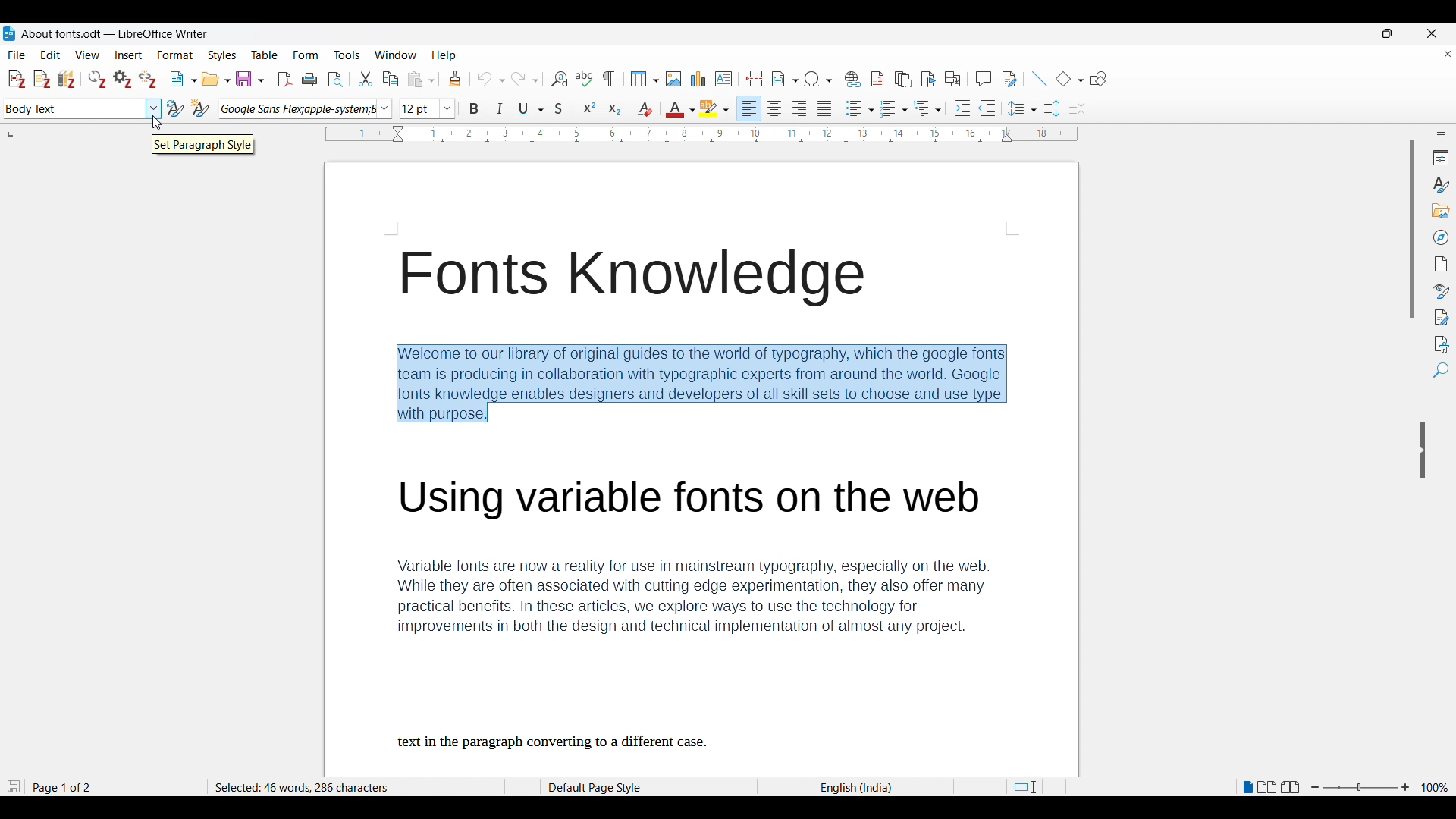 The image size is (1456, 819). I want to click on Close document, so click(1448, 54).